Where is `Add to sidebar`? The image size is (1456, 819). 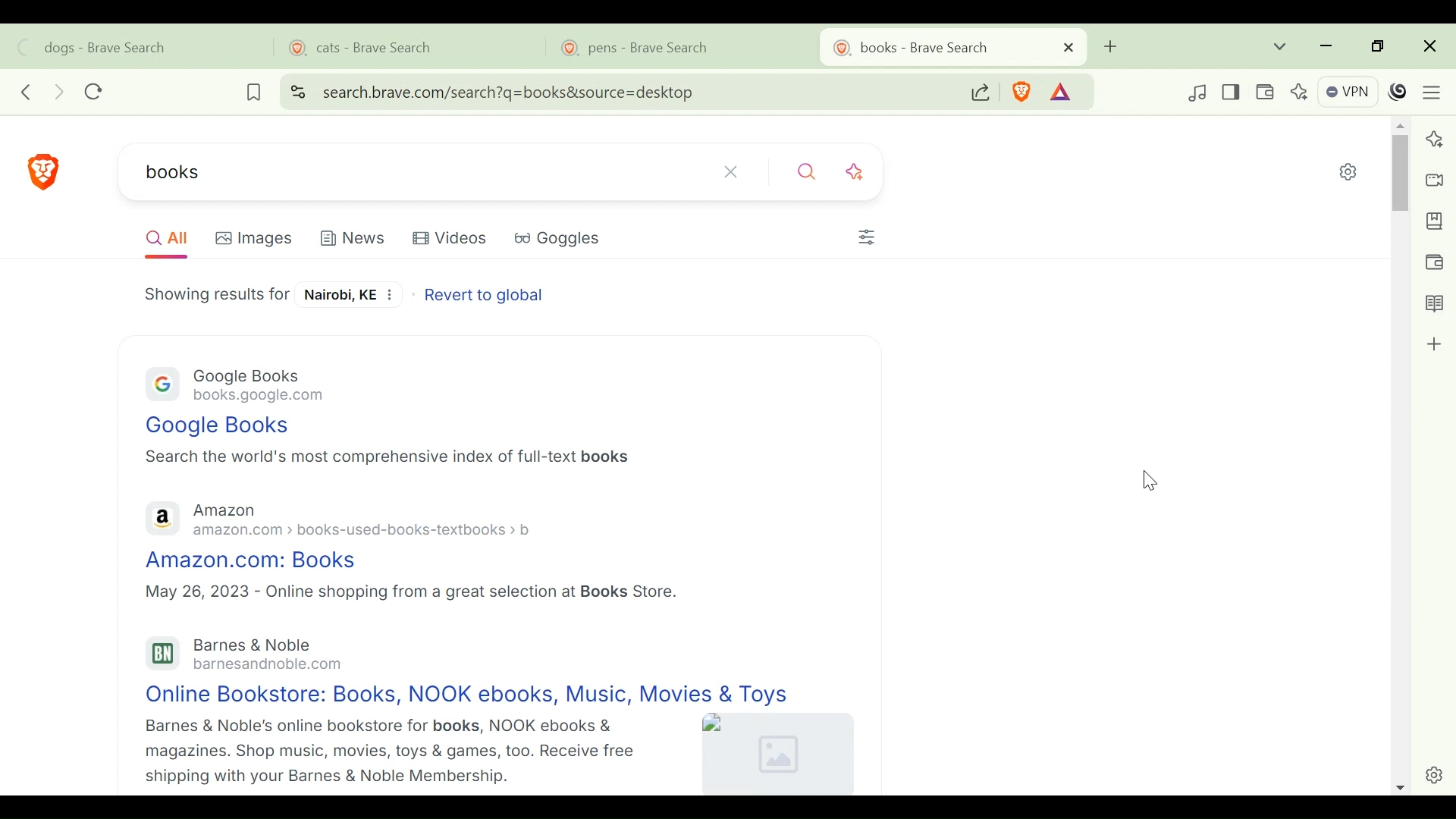
Add to sidebar is located at coordinates (1436, 347).